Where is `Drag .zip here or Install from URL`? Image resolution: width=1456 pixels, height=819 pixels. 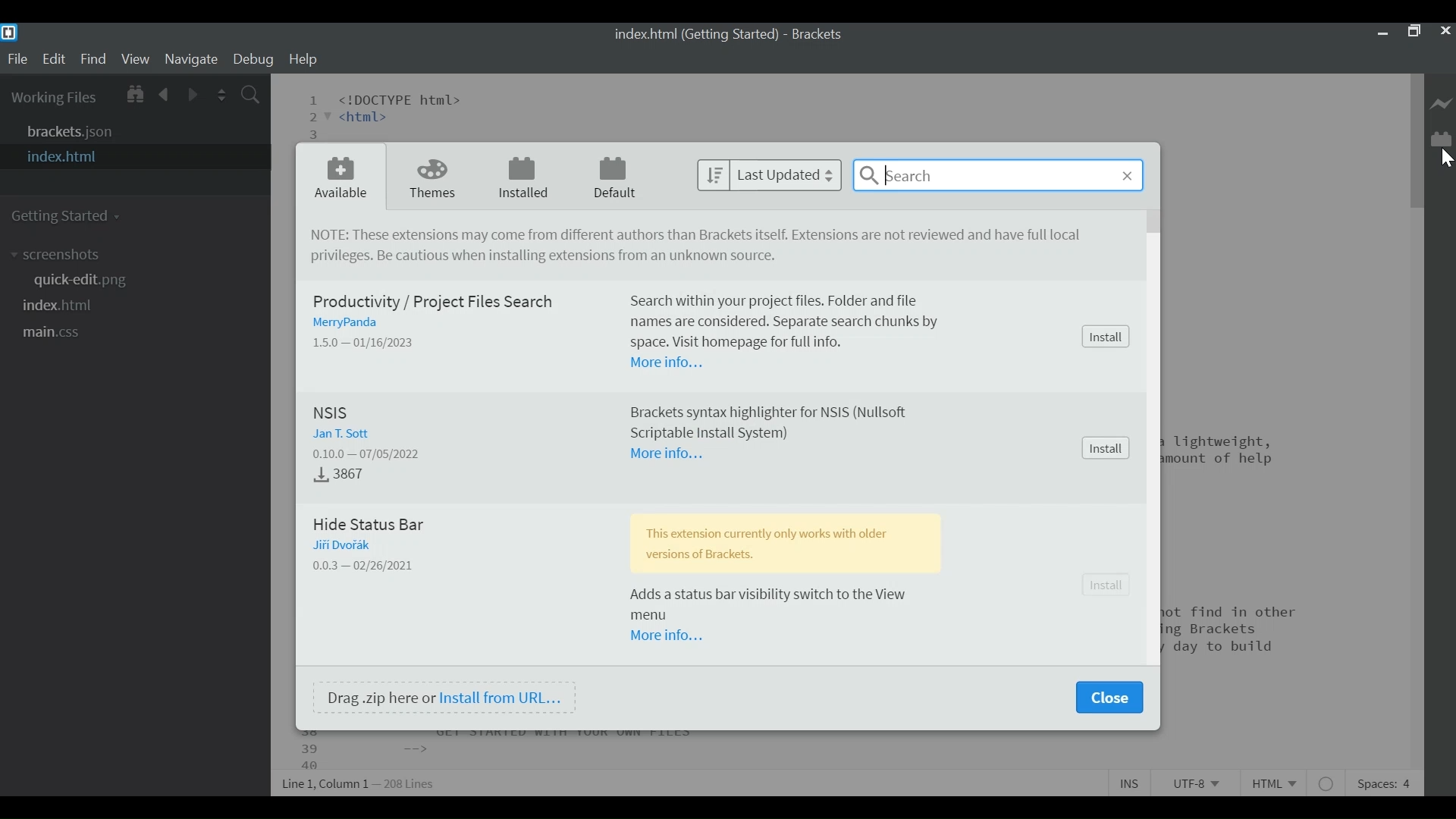
Drag .zip here or Install from URL is located at coordinates (444, 697).